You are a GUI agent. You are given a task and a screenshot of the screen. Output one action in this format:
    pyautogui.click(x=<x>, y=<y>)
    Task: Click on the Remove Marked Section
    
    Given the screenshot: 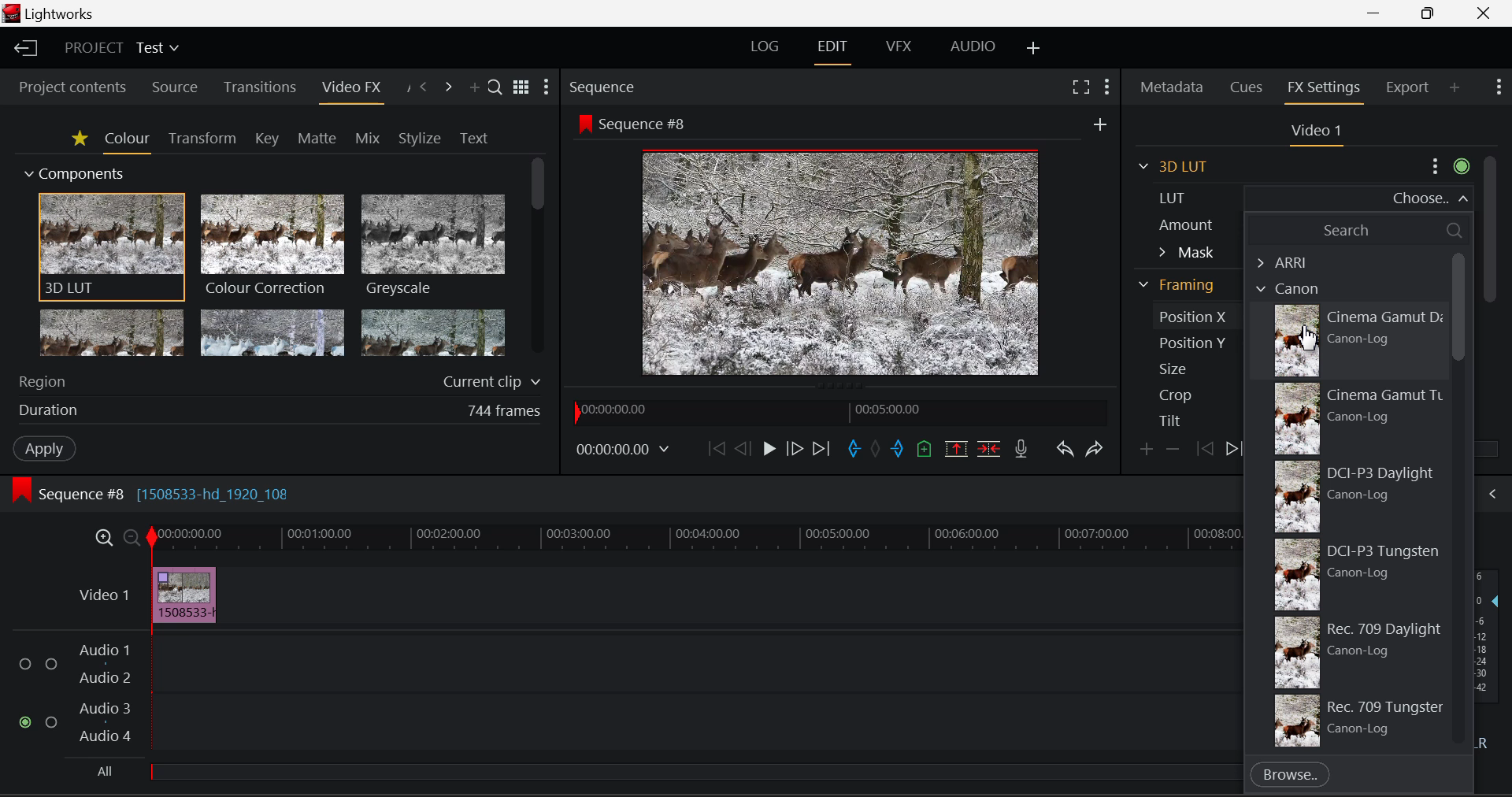 What is the action you would take?
    pyautogui.click(x=954, y=448)
    